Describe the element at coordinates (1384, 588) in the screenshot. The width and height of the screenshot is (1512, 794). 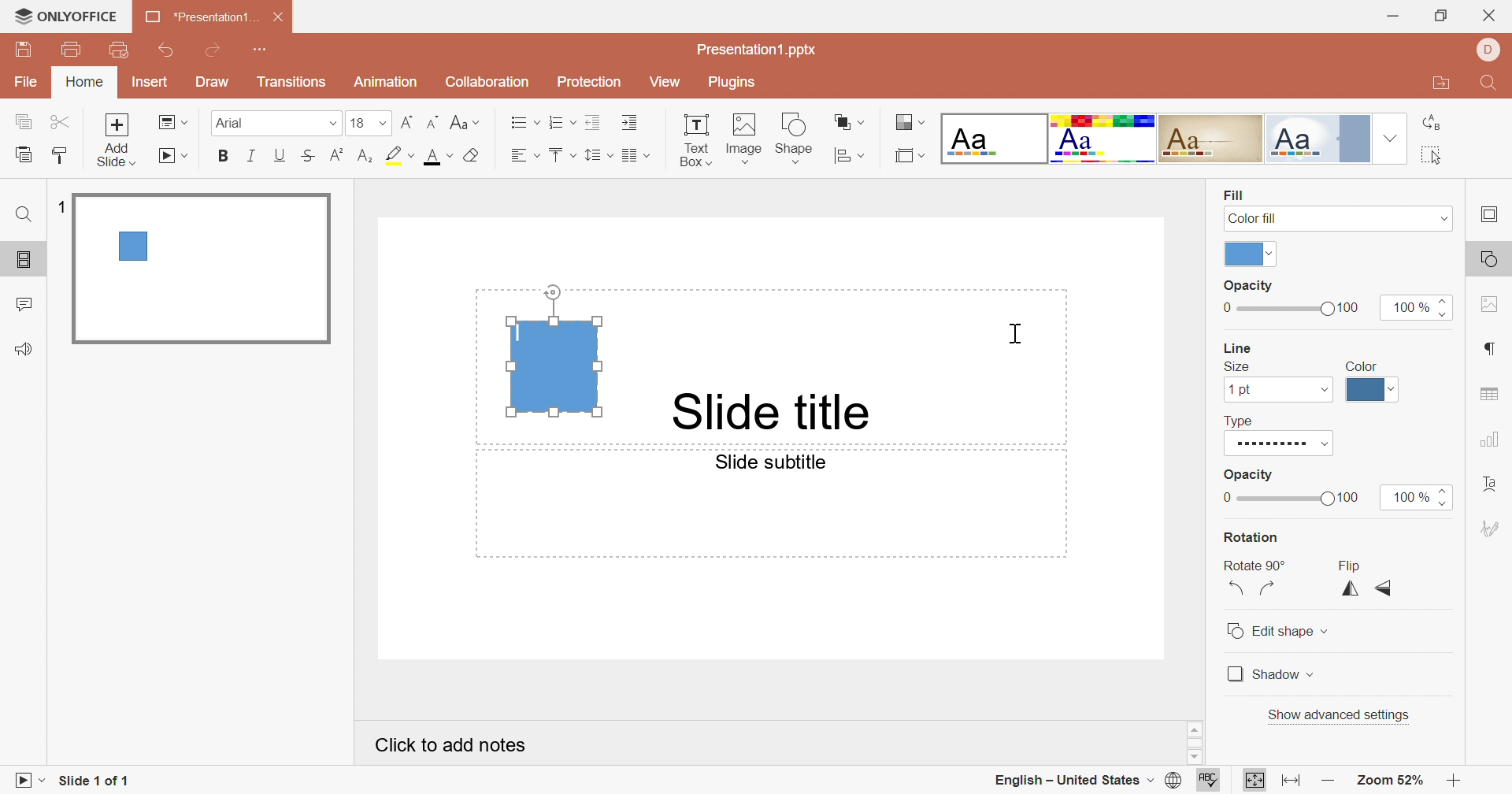
I see `Flip vertically` at that location.